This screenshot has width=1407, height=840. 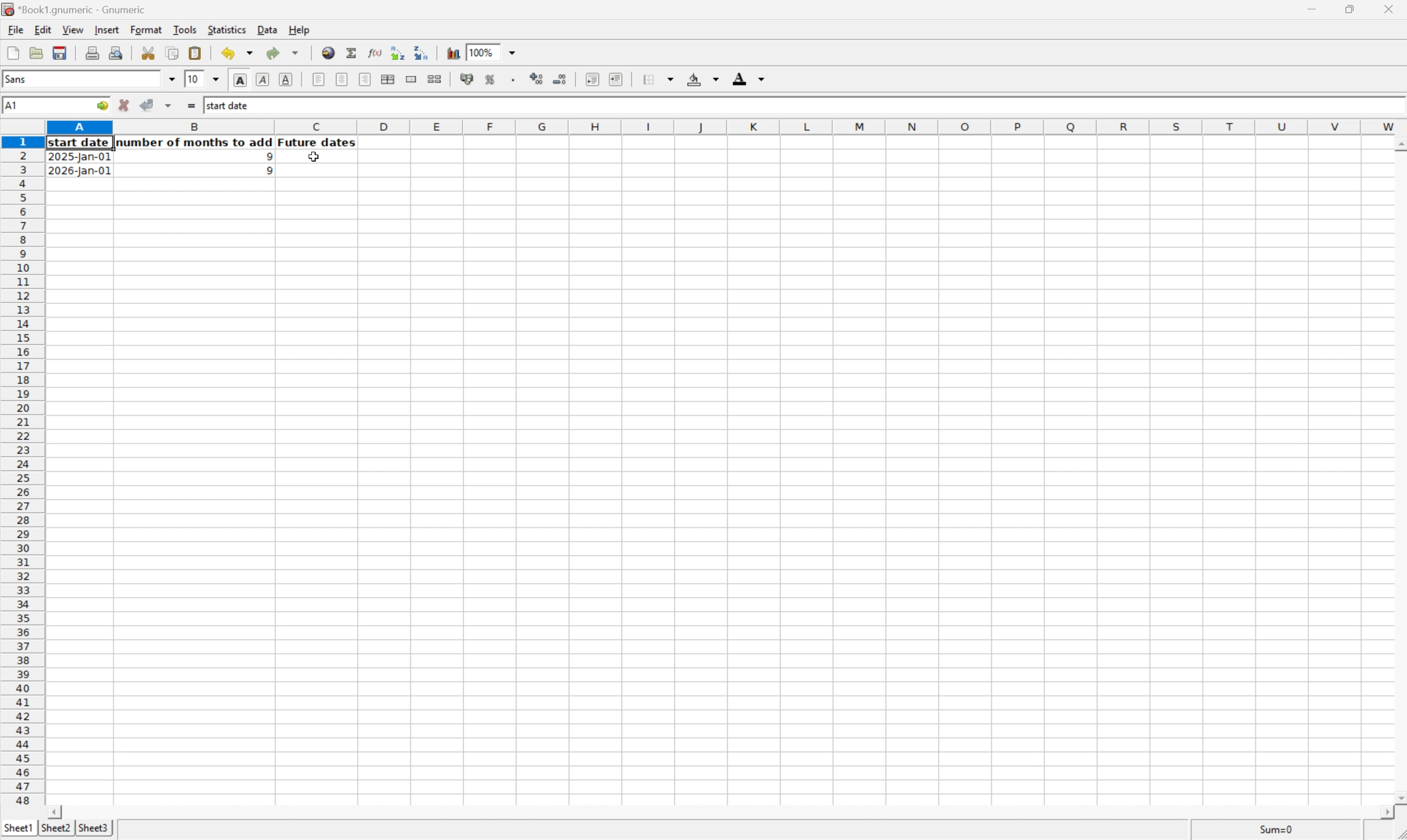 What do you see at coordinates (57, 811) in the screenshot?
I see `Scroll Left` at bounding box center [57, 811].